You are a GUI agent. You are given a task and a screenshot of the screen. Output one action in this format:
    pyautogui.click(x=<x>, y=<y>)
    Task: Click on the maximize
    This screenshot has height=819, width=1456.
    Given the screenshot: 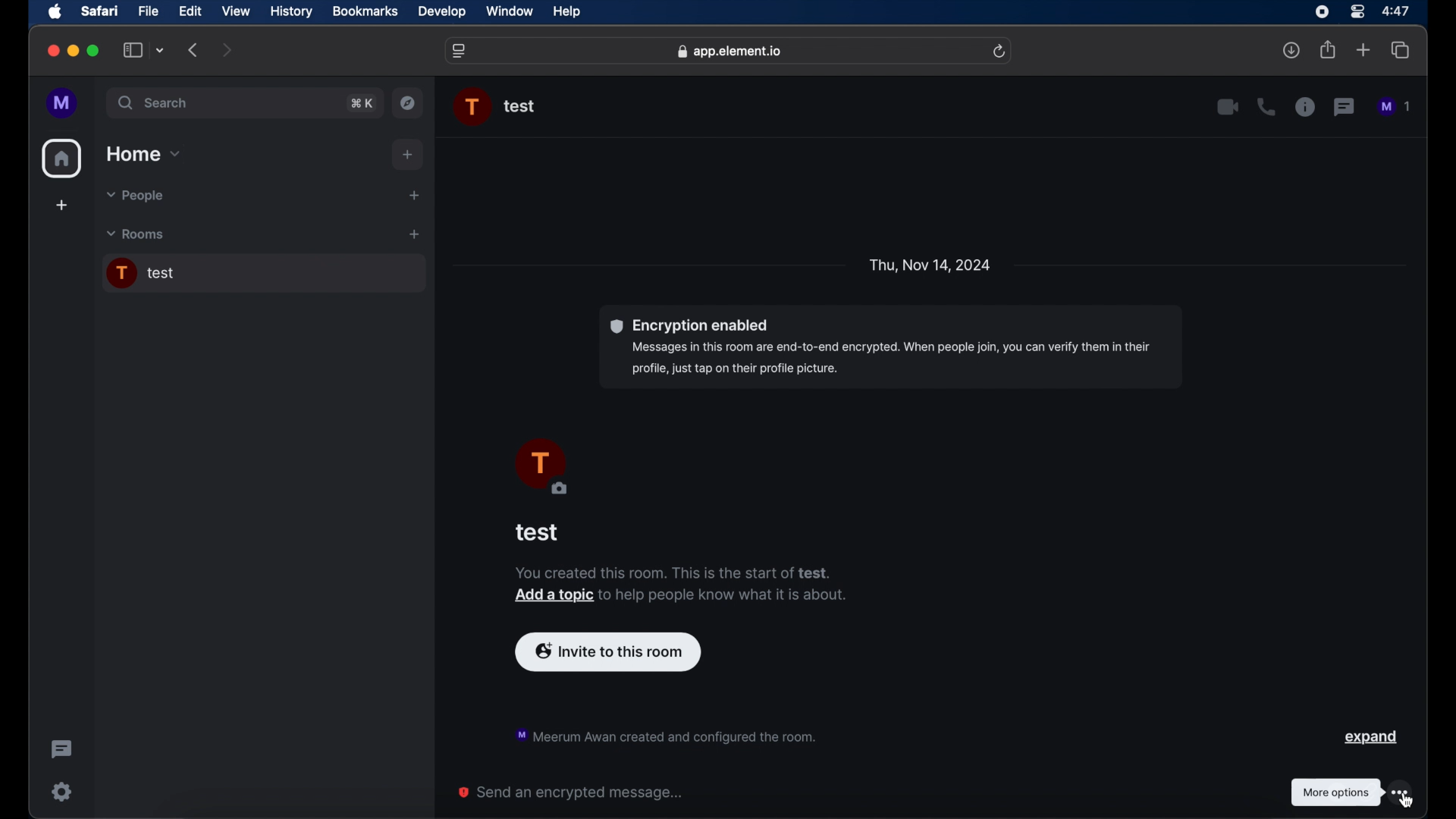 What is the action you would take?
    pyautogui.click(x=94, y=51)
    